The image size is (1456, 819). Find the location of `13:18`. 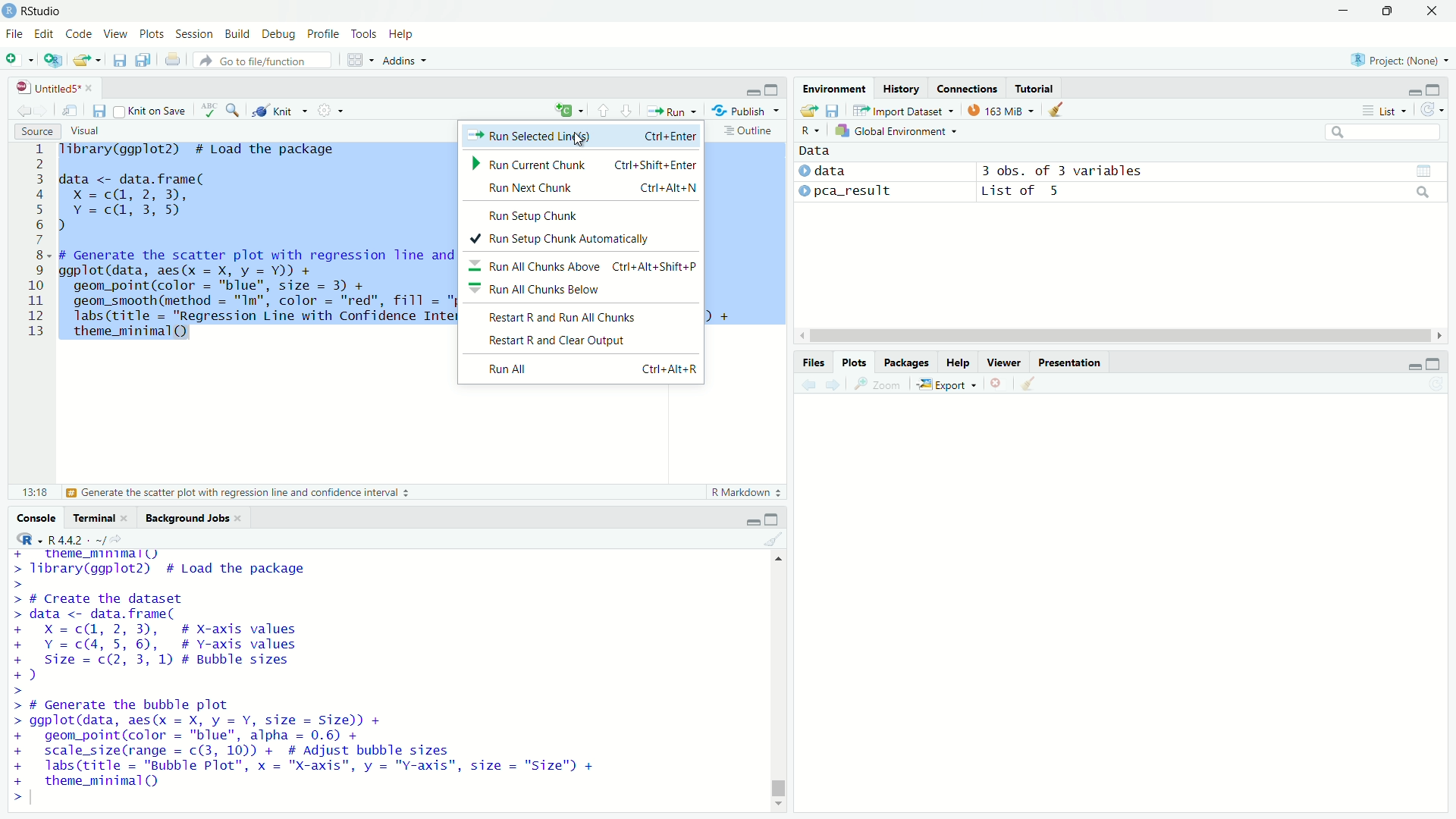

13:18 is located at coordinates (35, 492).